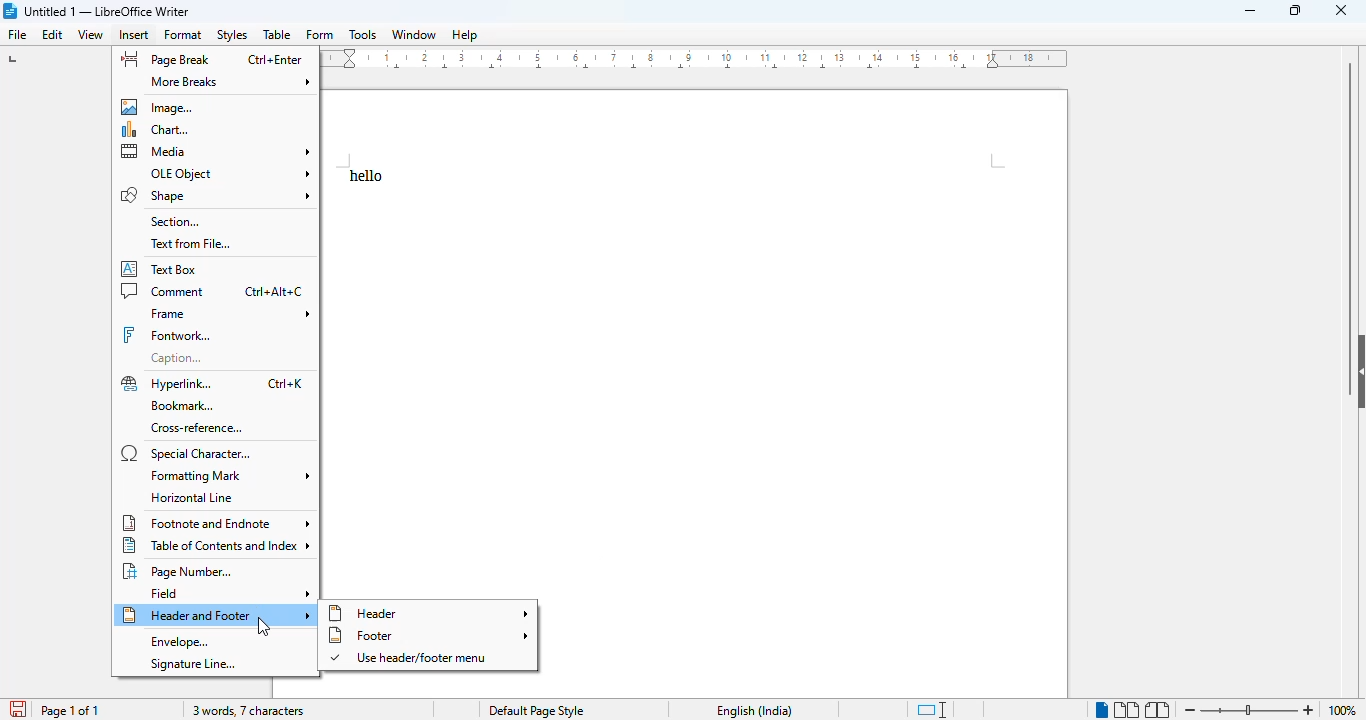  Describe the element at coordinates (227, 593) in the screenshot. I see `field` at that location.